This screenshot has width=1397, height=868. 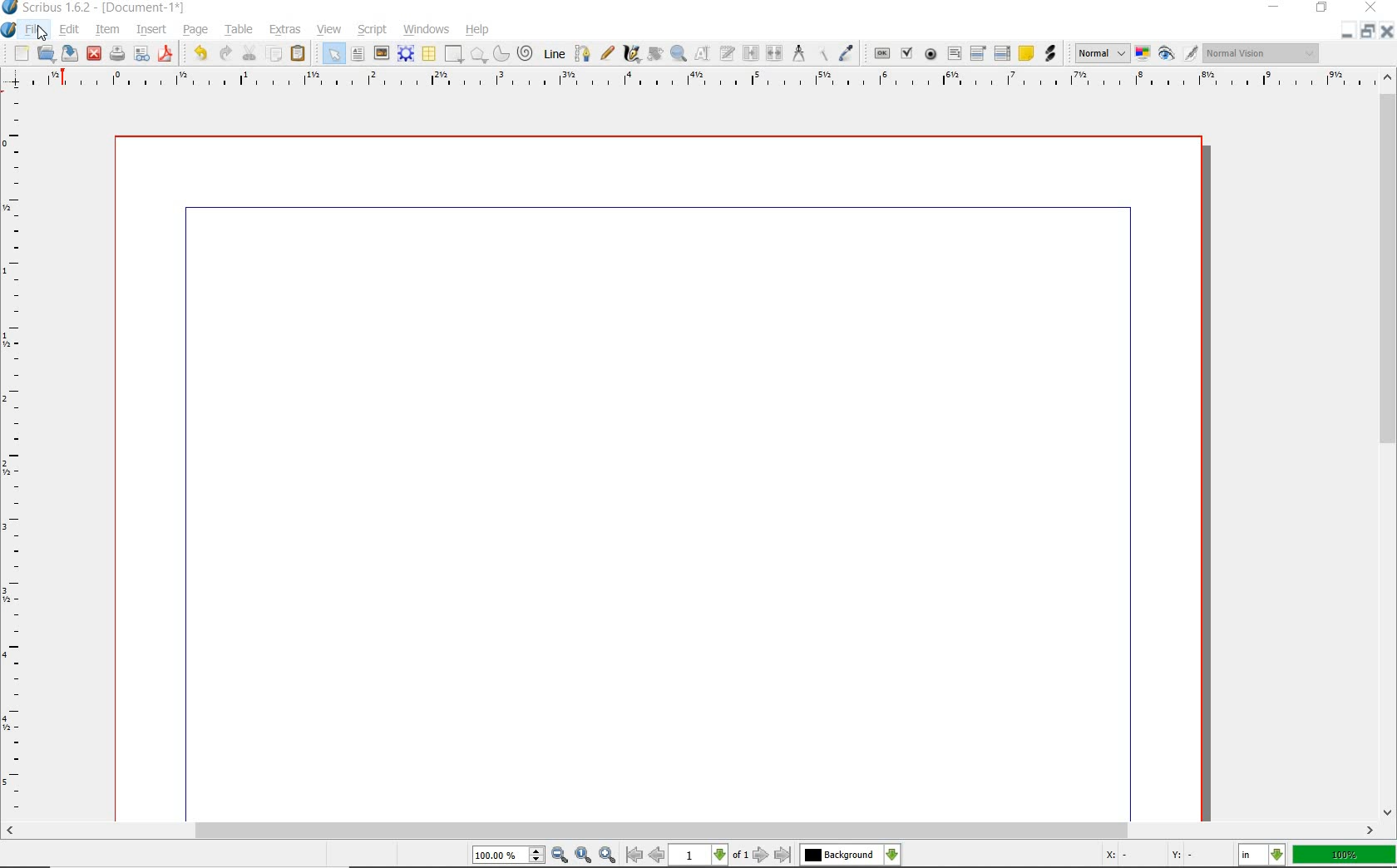 What do you see at coordinates (96, 8) in the screenshot?
I see `scribus 1.6.2 - [document-1*]` at bounding box center [96, 8].